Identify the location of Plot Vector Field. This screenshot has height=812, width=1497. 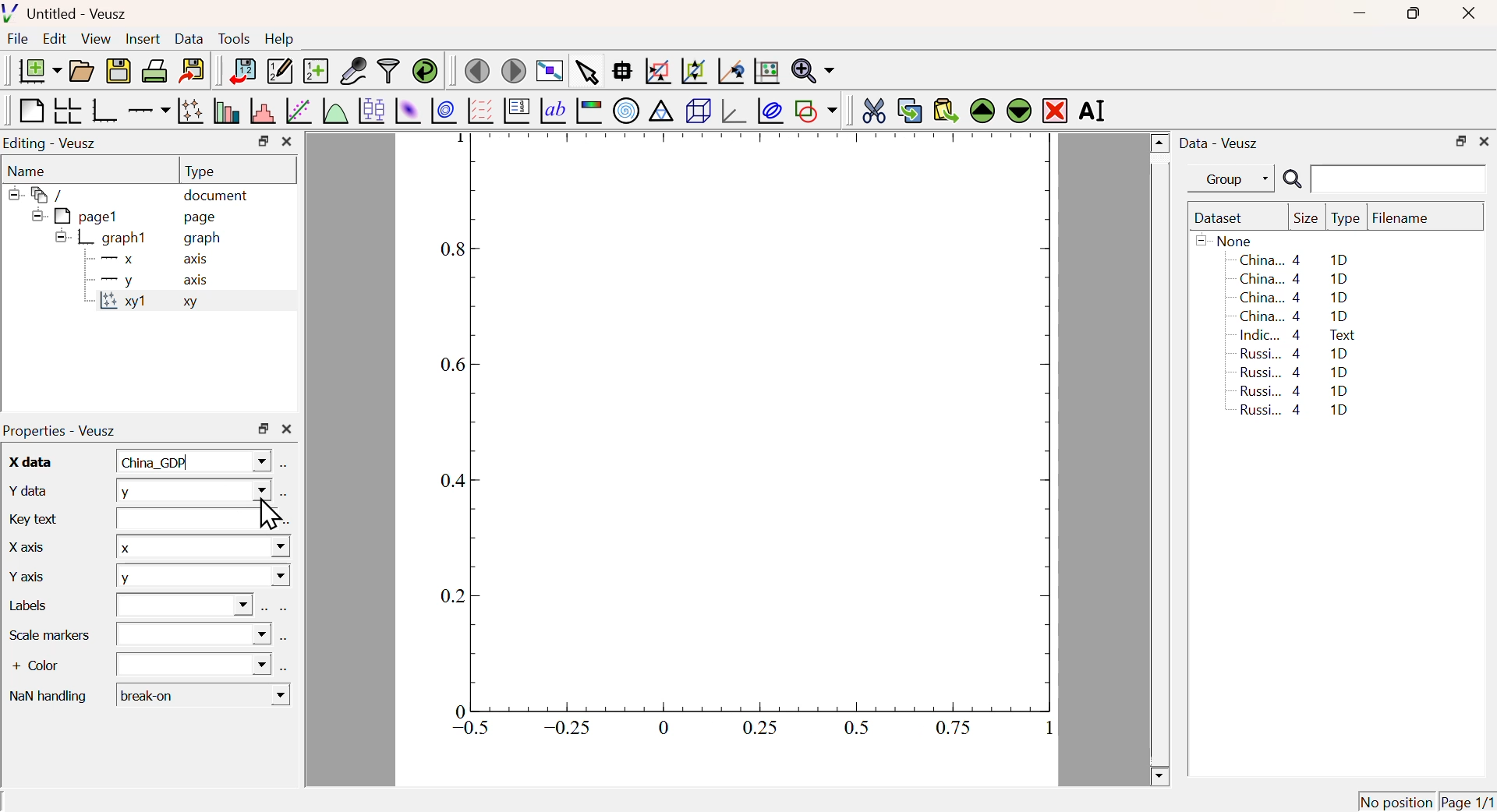
(478, 110).